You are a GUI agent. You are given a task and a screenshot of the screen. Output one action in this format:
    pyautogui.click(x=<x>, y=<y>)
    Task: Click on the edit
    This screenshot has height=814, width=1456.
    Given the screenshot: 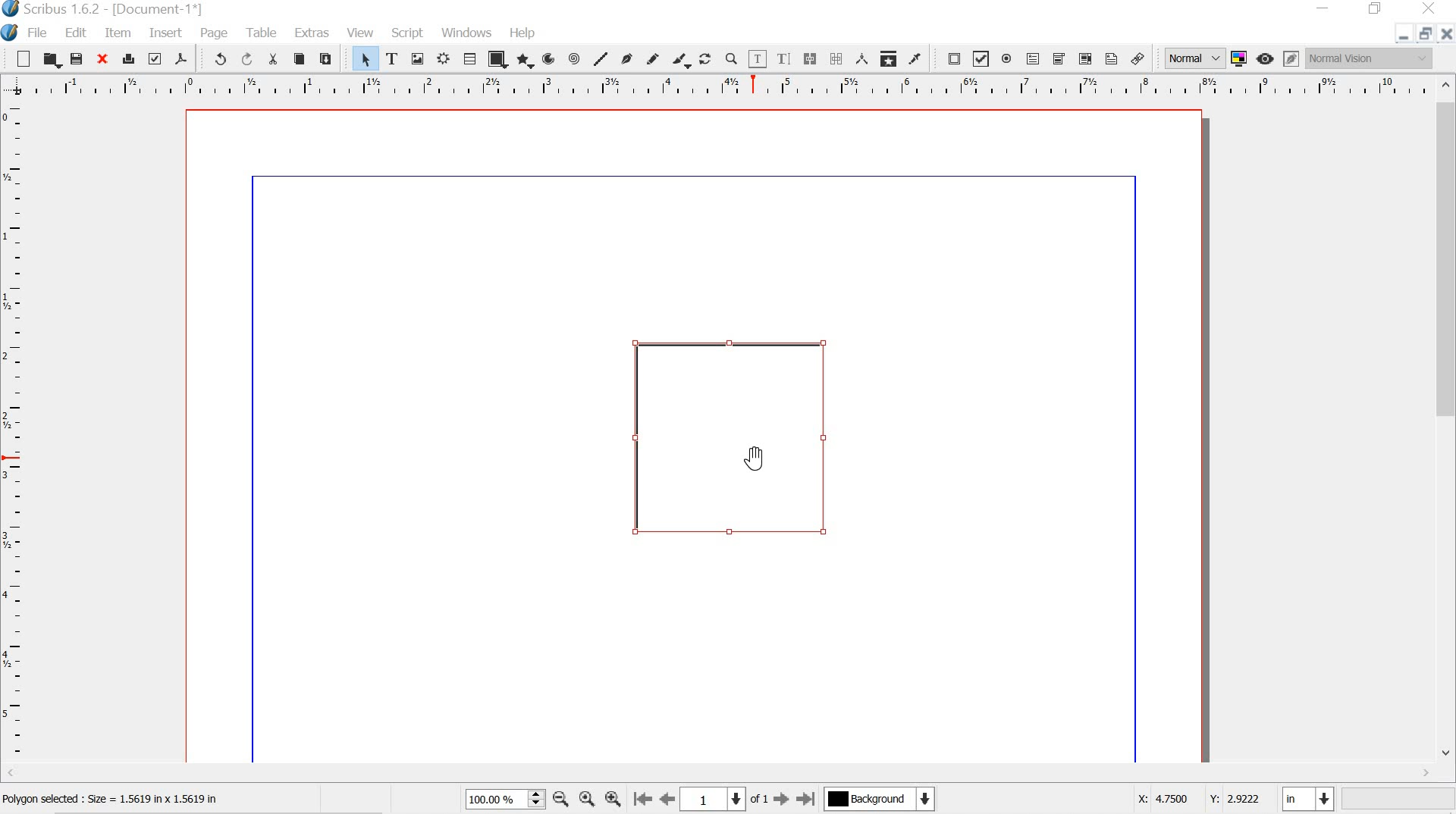 What is the action you would take?
    pyautogui.click(x=78, y=32)
    